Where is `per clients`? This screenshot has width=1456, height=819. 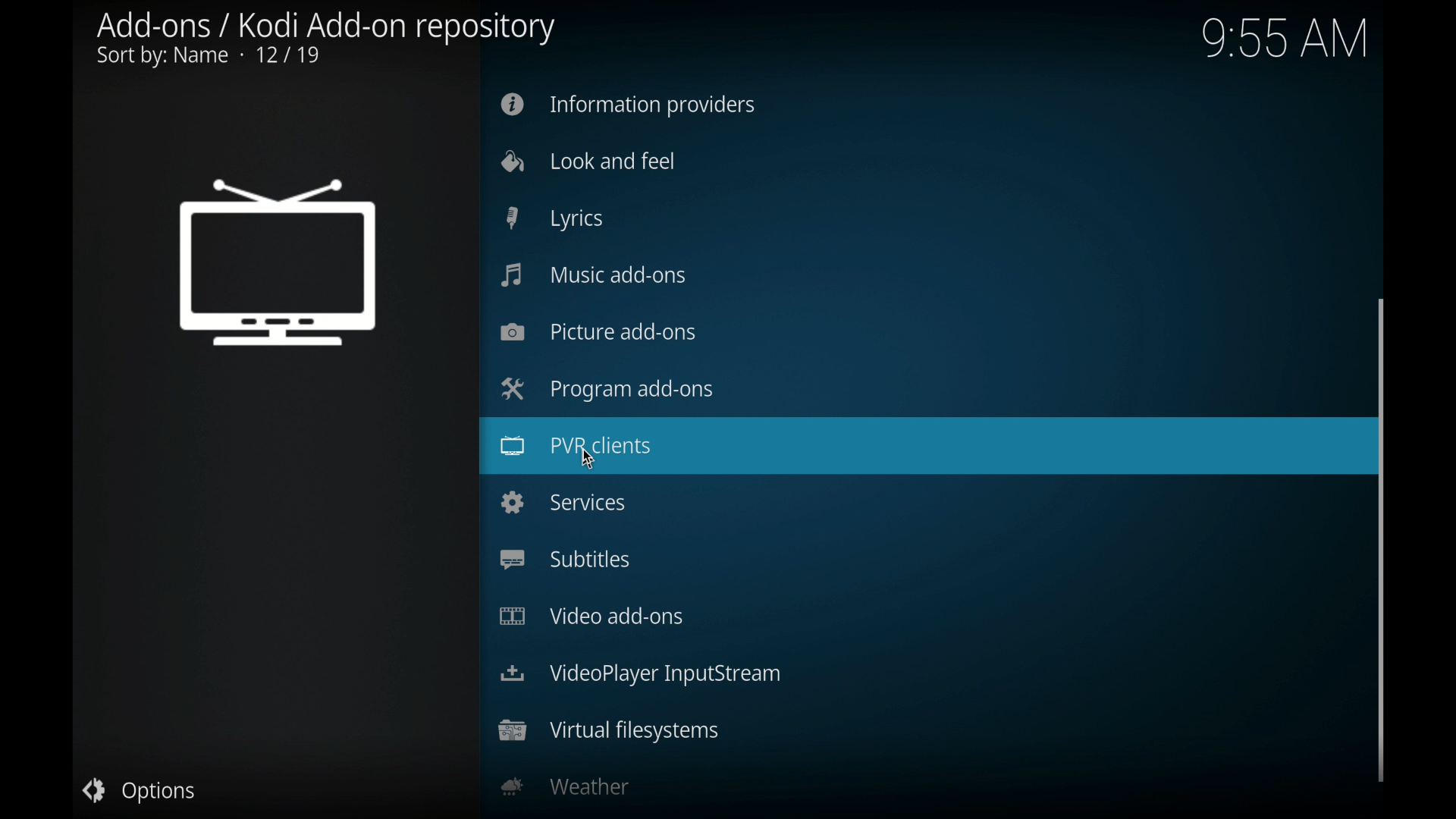
per clients is located at coordinates (922, 445).